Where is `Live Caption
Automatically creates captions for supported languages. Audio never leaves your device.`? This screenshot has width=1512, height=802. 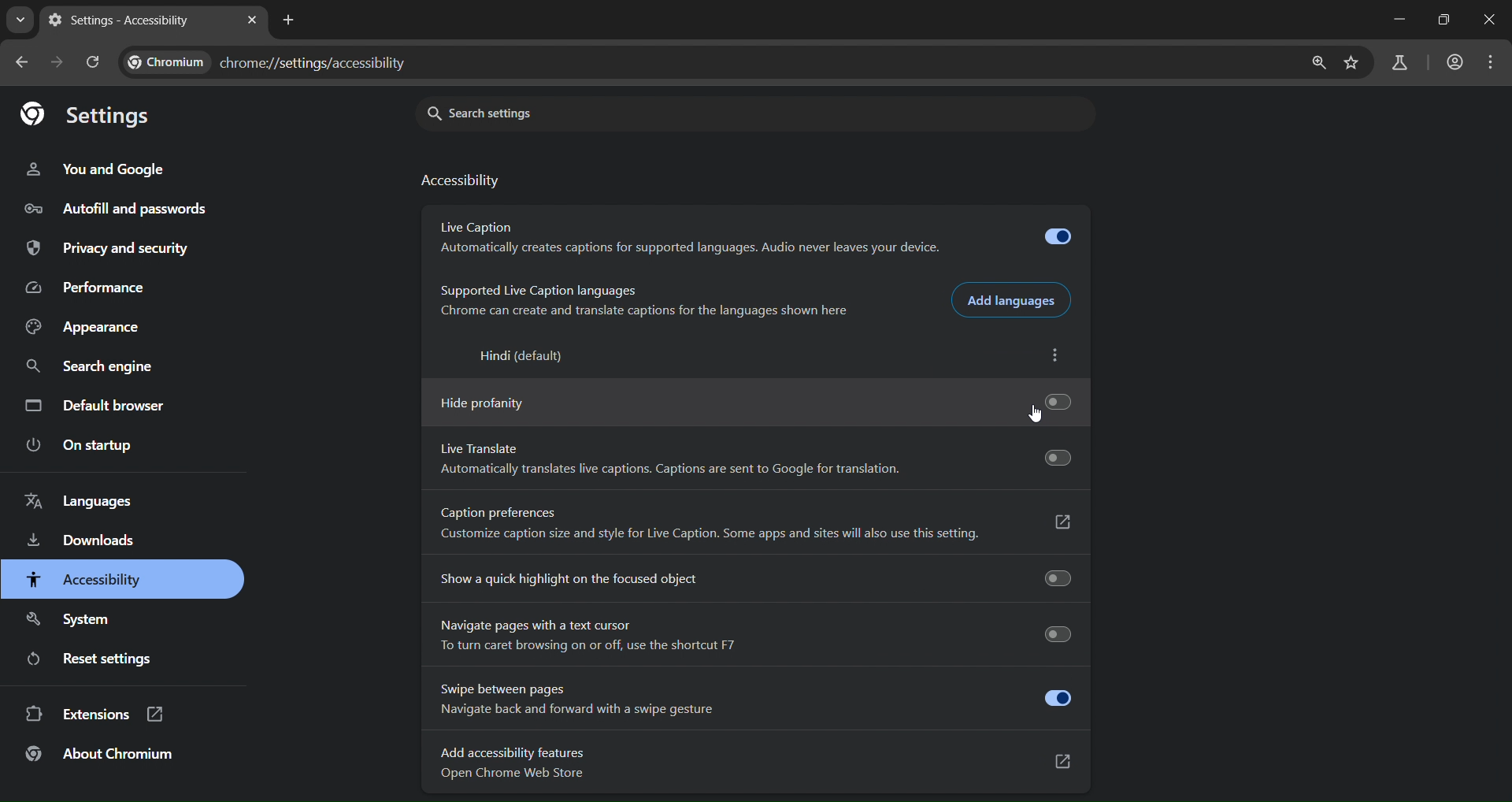
Live Caption
Automatically creates captions for supported languages. Audio never leaves your device. is located at coordinates (751, 236).